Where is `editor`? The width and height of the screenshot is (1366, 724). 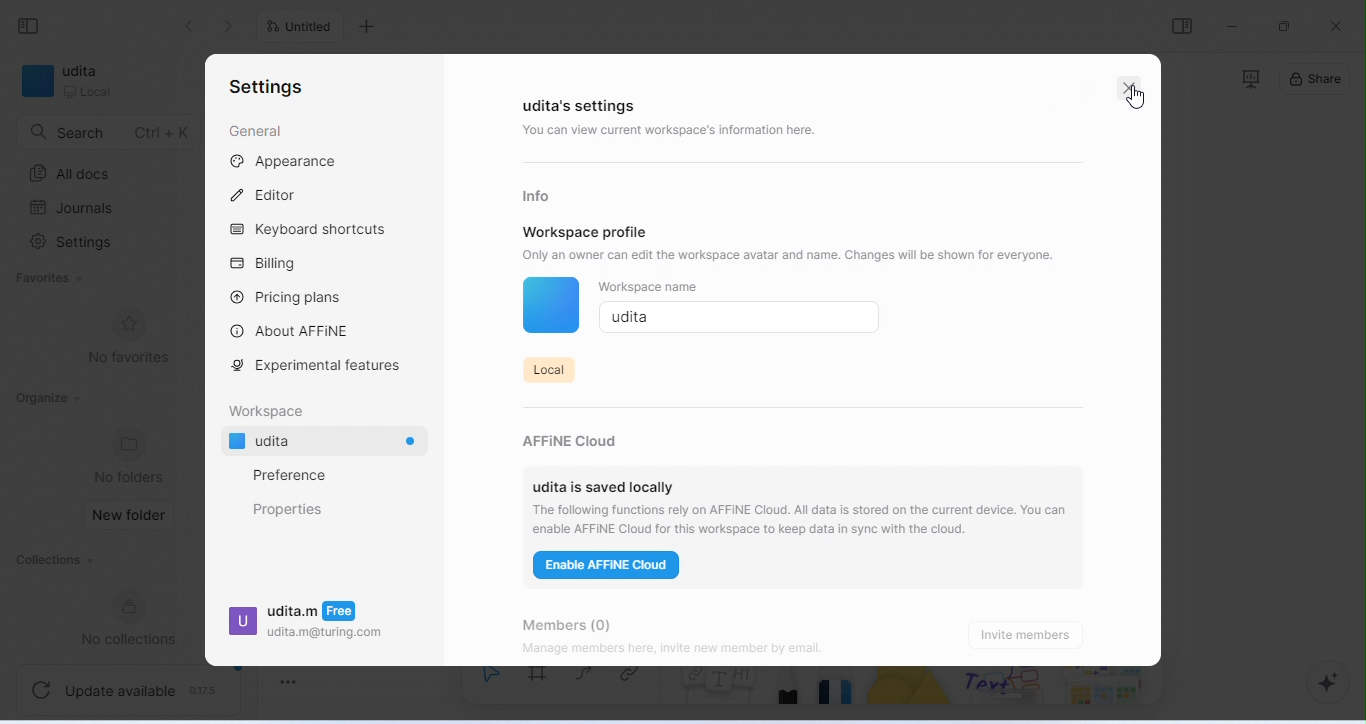 editor is located at coordinates (268, 193).